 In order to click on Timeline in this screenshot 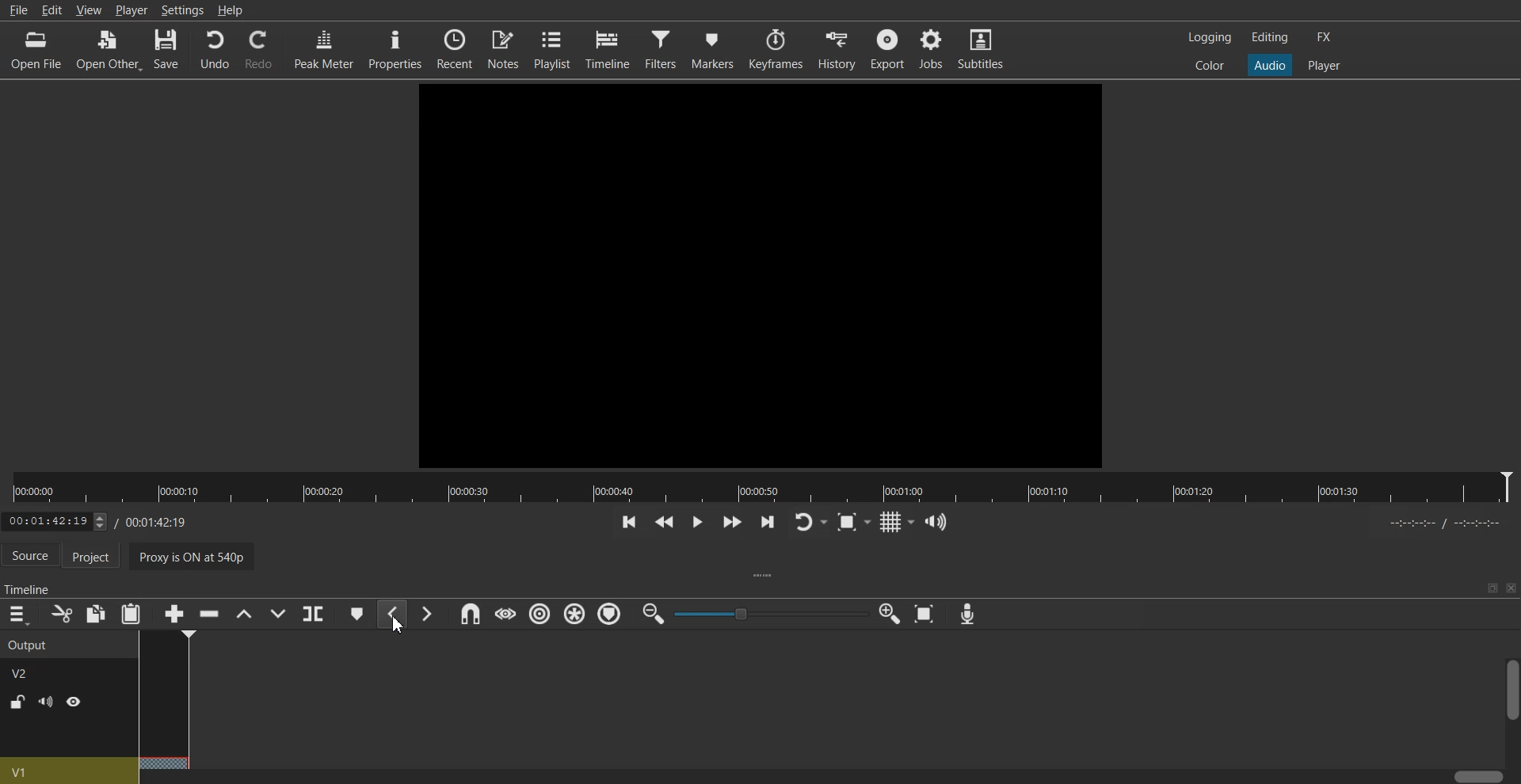, I will do `click(612, 48)`.